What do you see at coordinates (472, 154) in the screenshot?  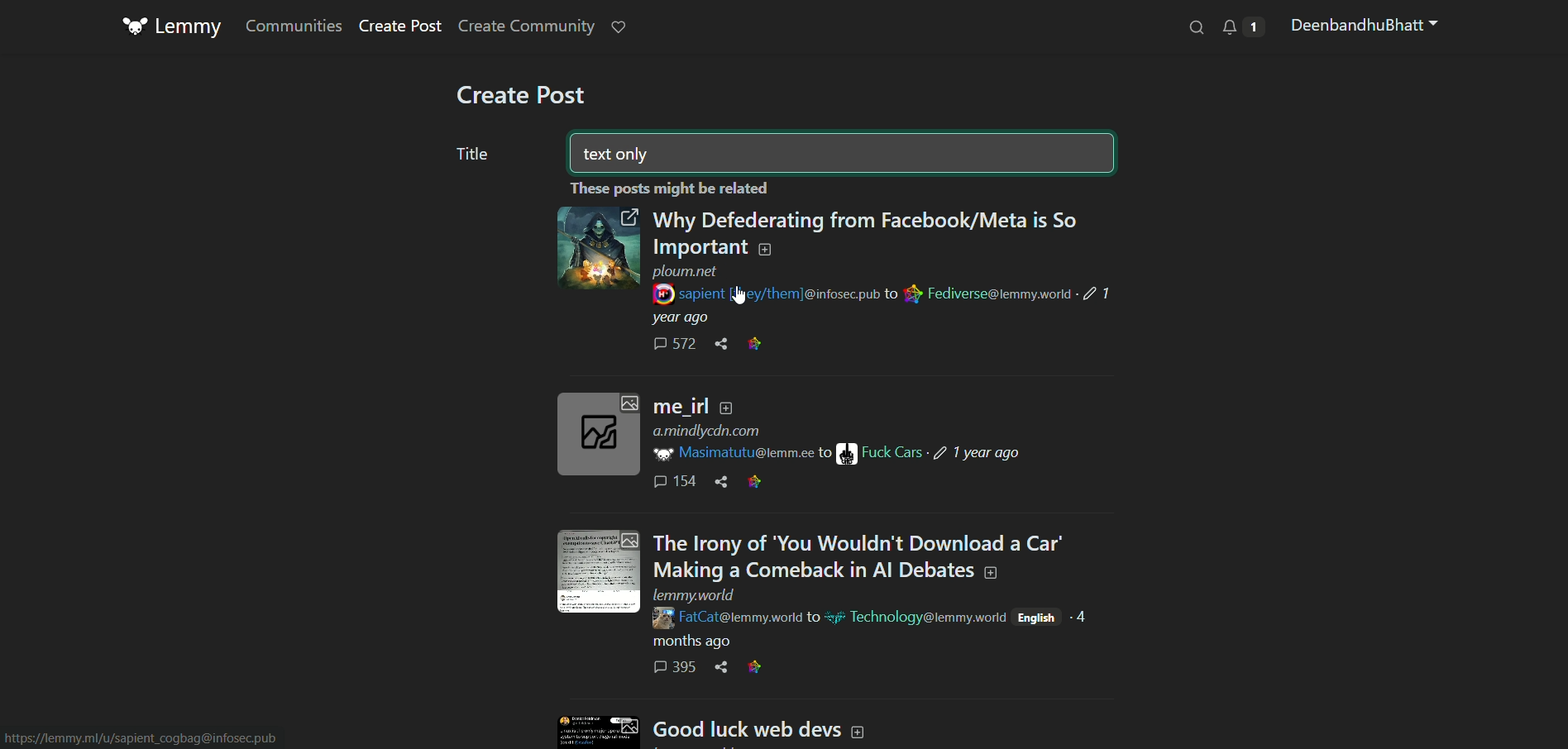 I see `title` at bounding box center [472, 154].